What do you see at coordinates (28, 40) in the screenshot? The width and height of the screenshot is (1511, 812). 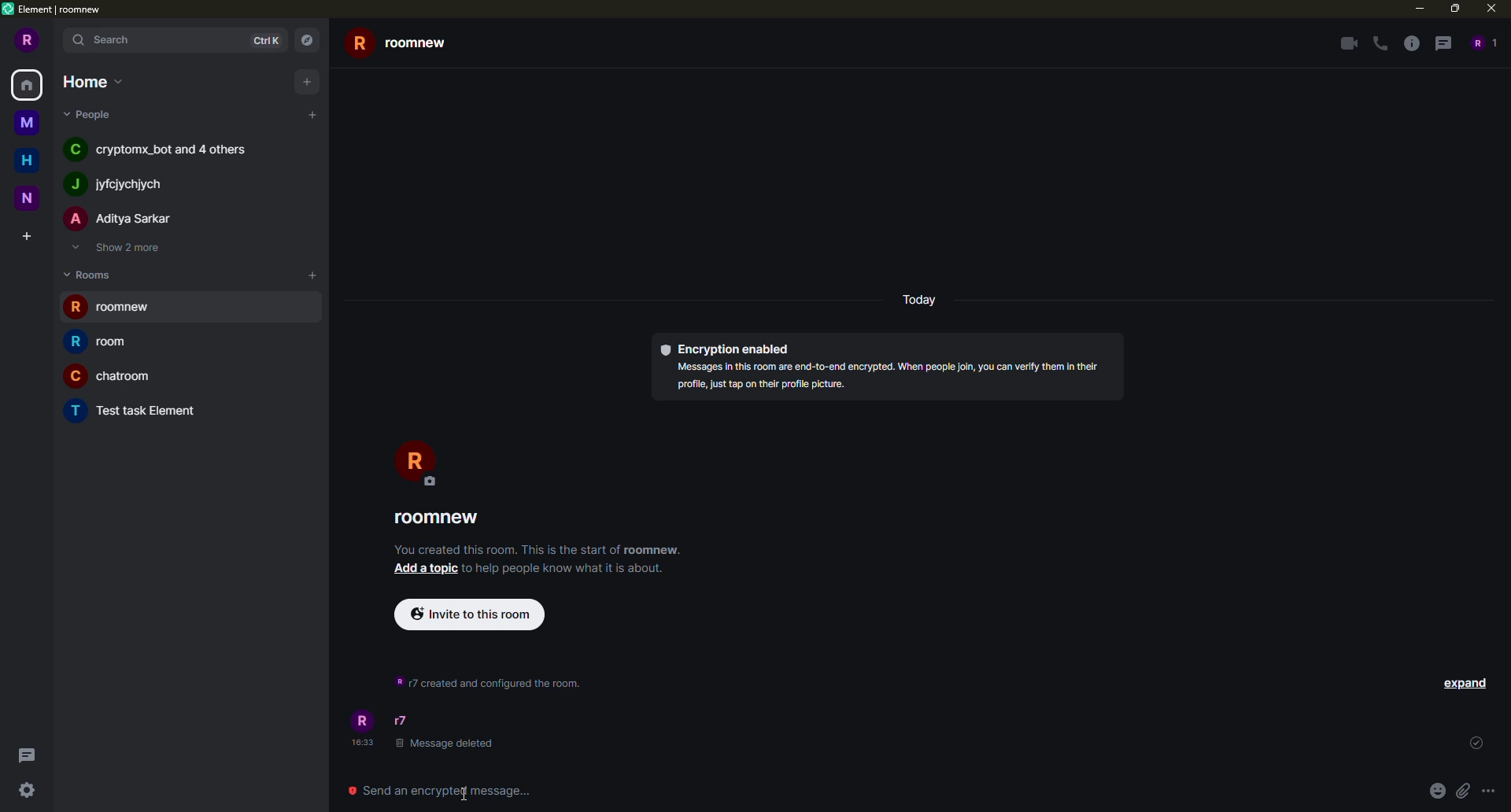 I see `profile` at bounding box center [28, 40].